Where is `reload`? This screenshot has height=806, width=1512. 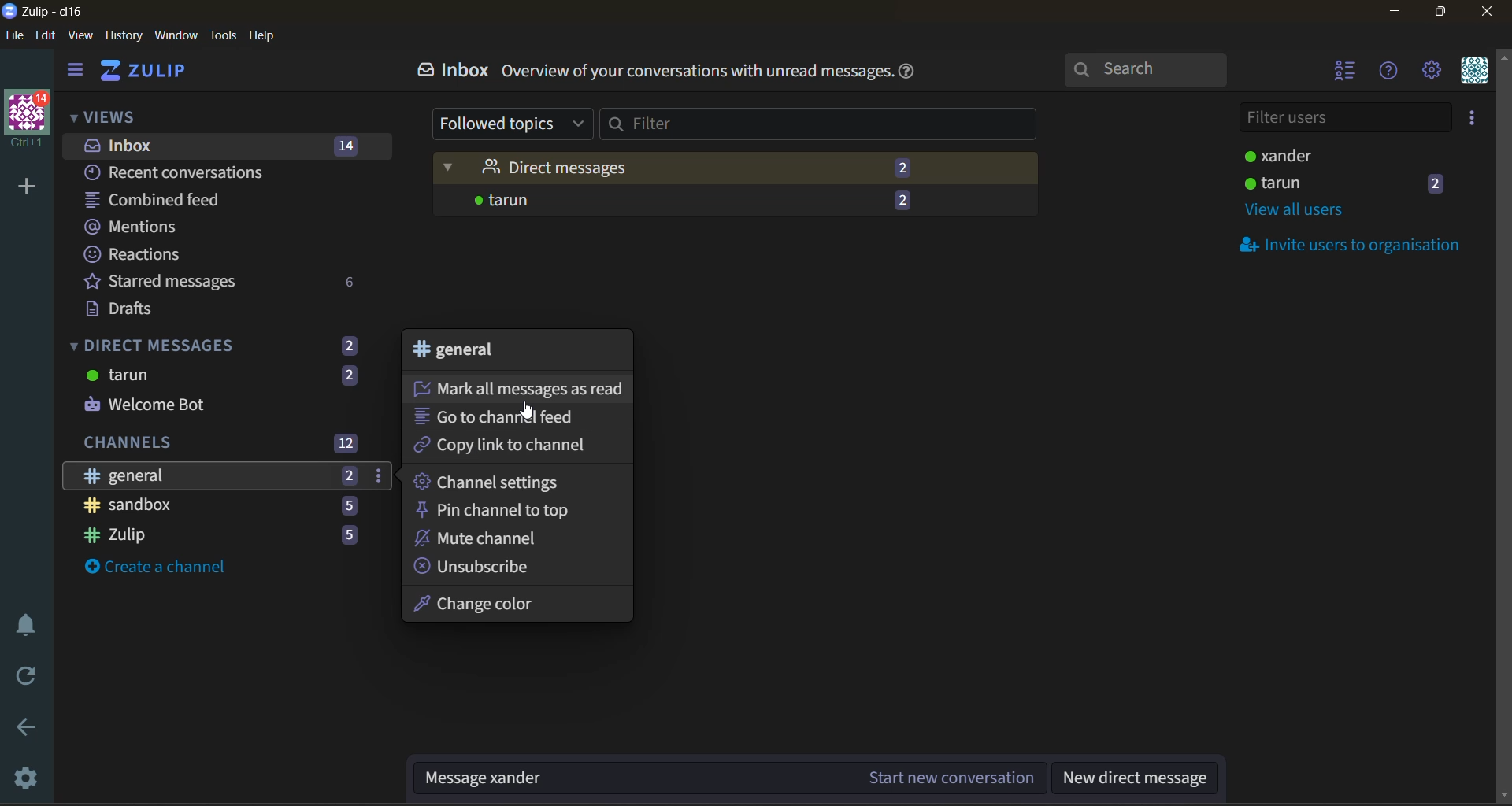
reload is located at coordinates (32, 677).